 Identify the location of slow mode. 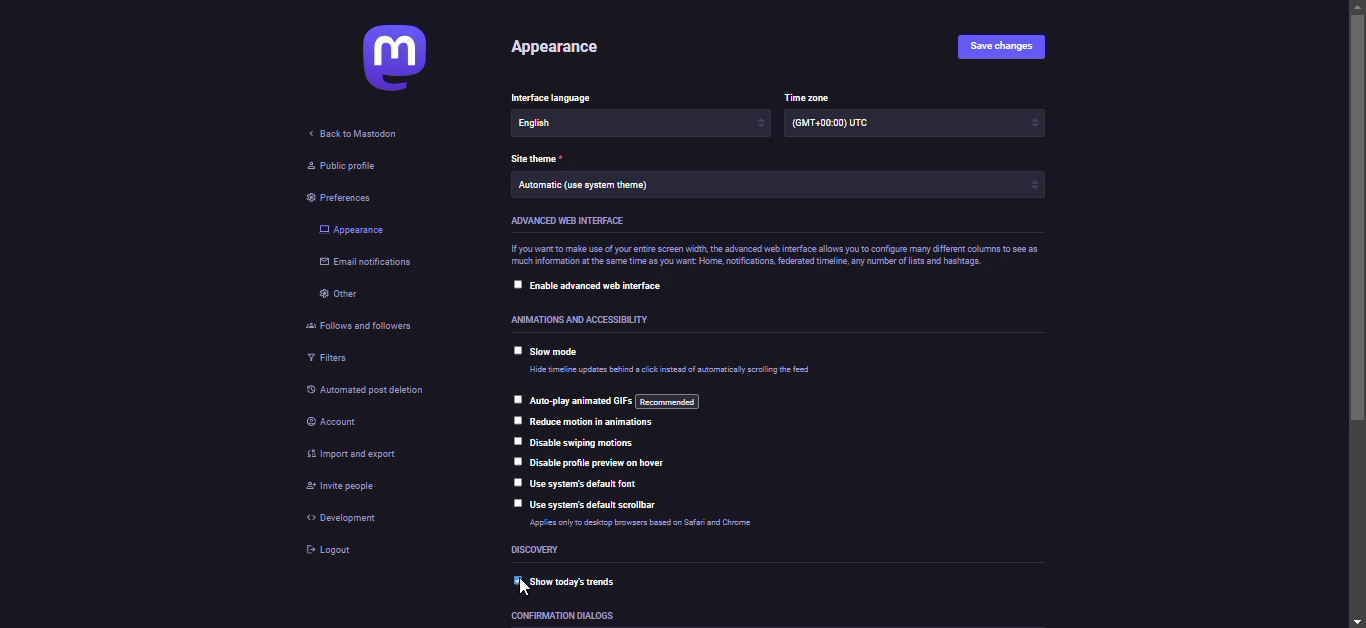
(560, 352).